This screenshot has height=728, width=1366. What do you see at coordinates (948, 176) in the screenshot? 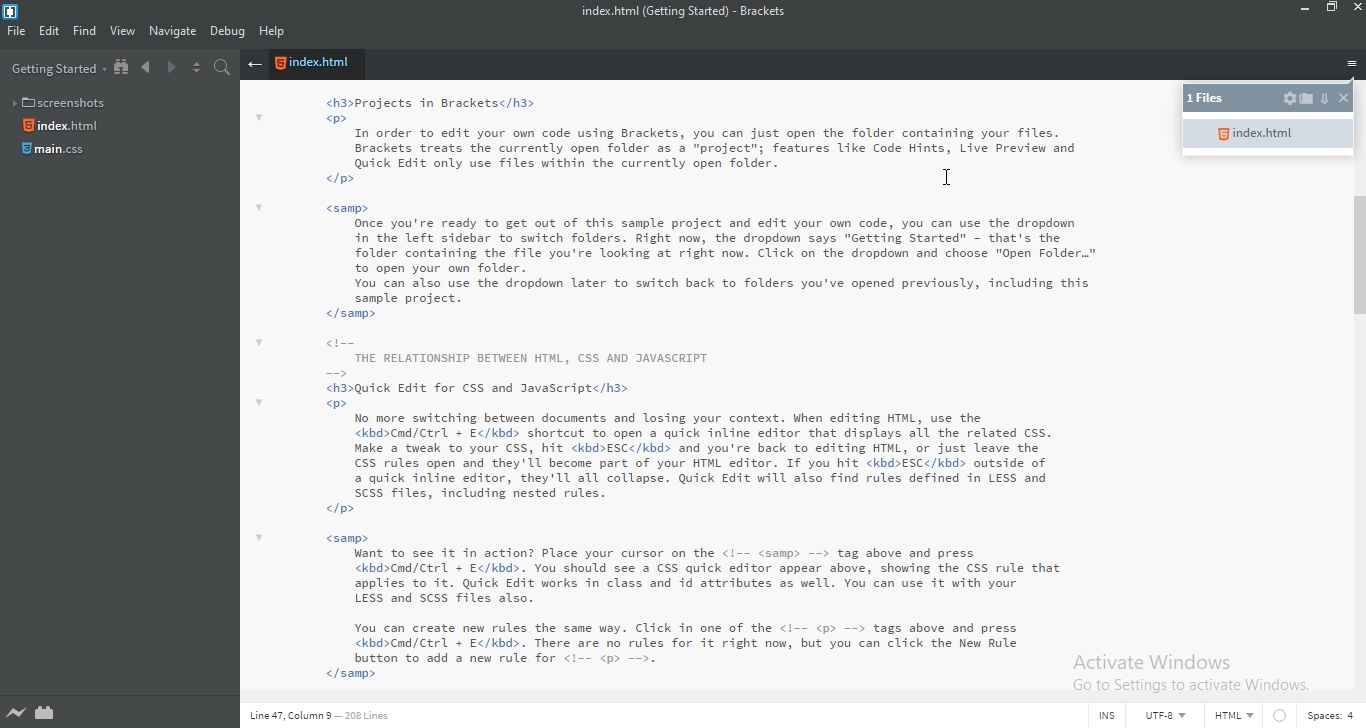
I see `cursor` at bounding box center [948, 176].